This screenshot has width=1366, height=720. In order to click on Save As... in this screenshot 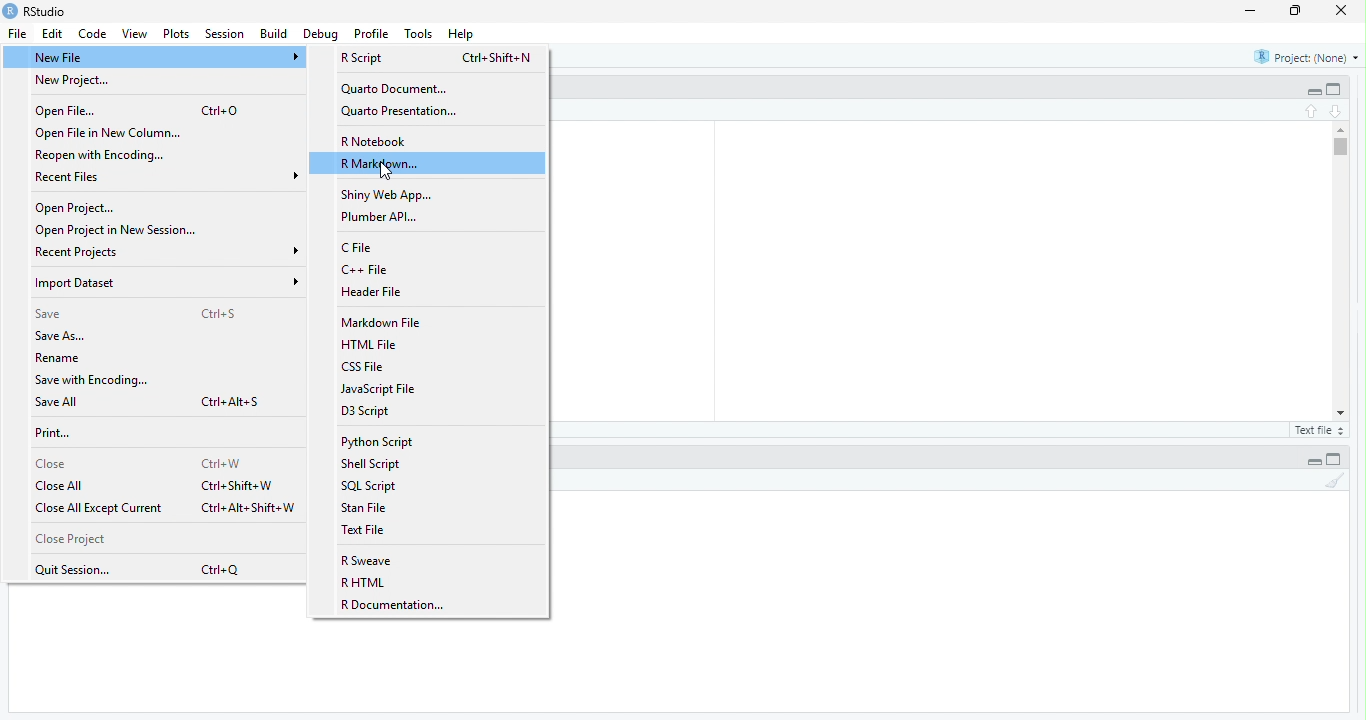, I will do `click(63, 336)`.